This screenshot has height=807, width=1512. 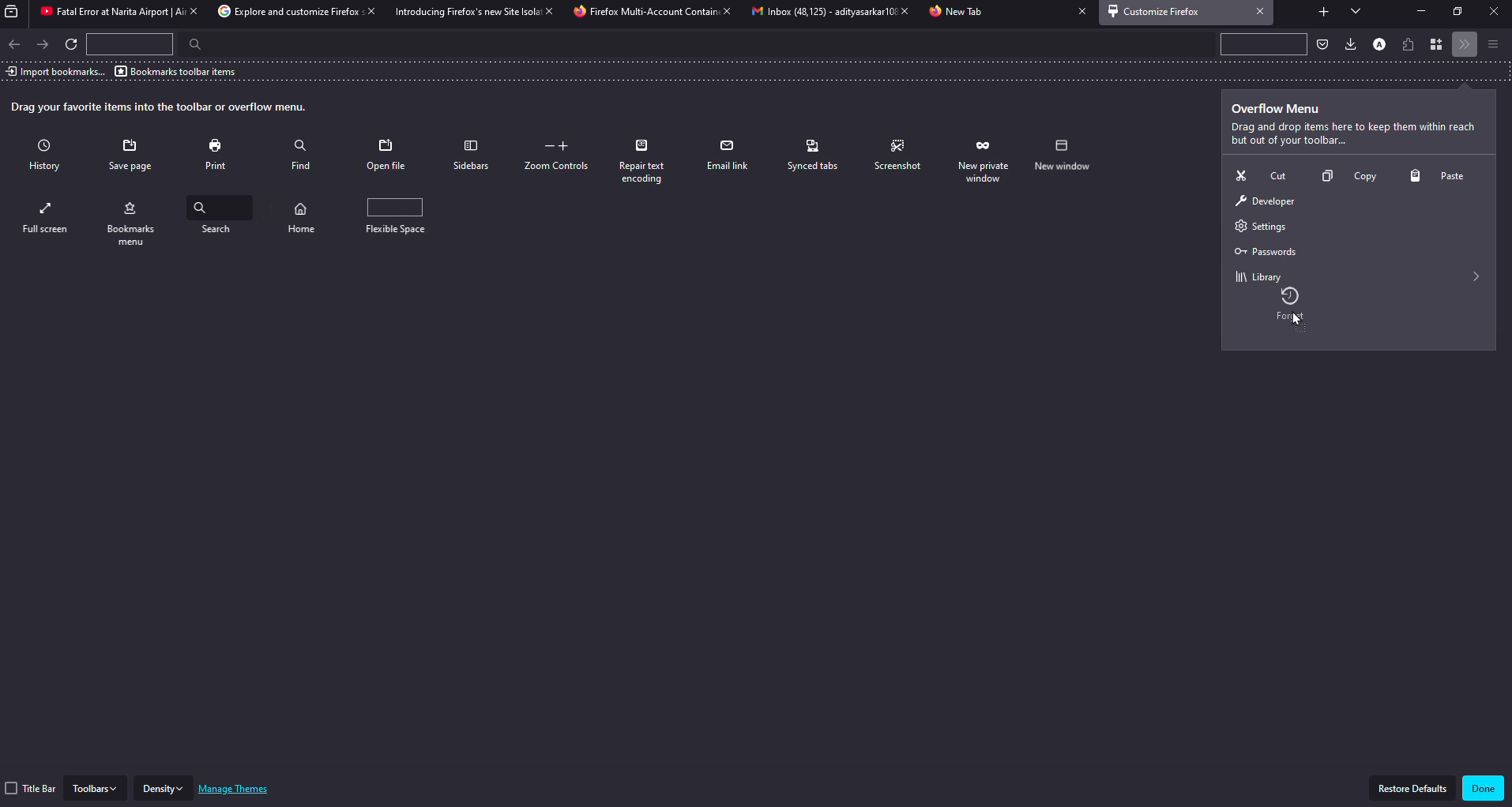 What do you see at coordinates (308, 215) in the screenshot?
I see `search` at bounding box center [308, 215].